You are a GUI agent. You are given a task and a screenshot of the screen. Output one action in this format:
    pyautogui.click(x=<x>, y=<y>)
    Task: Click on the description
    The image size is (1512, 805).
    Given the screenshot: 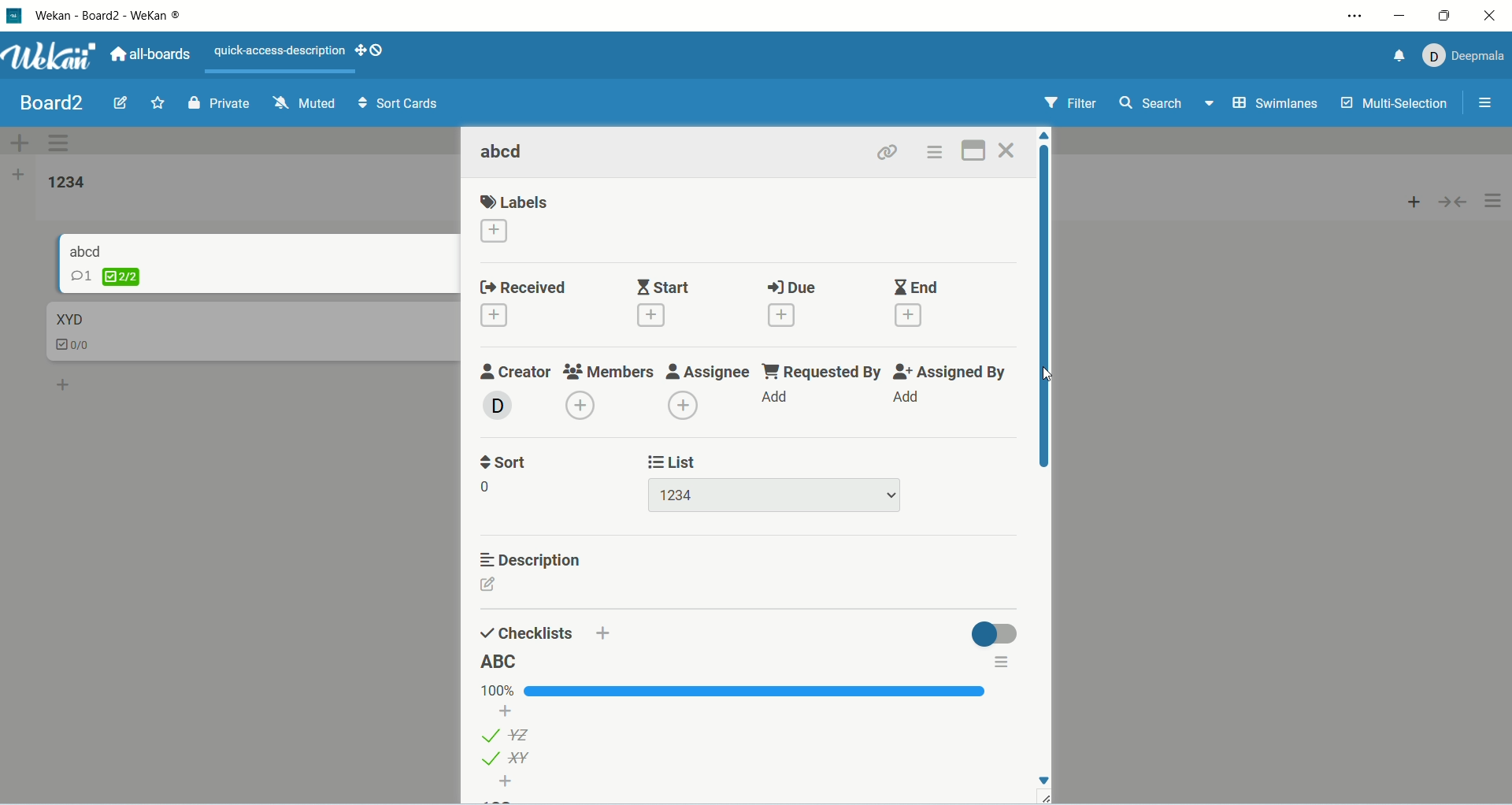 What is the action you would take?
    pyautogui.click(x=536, y=556)
    